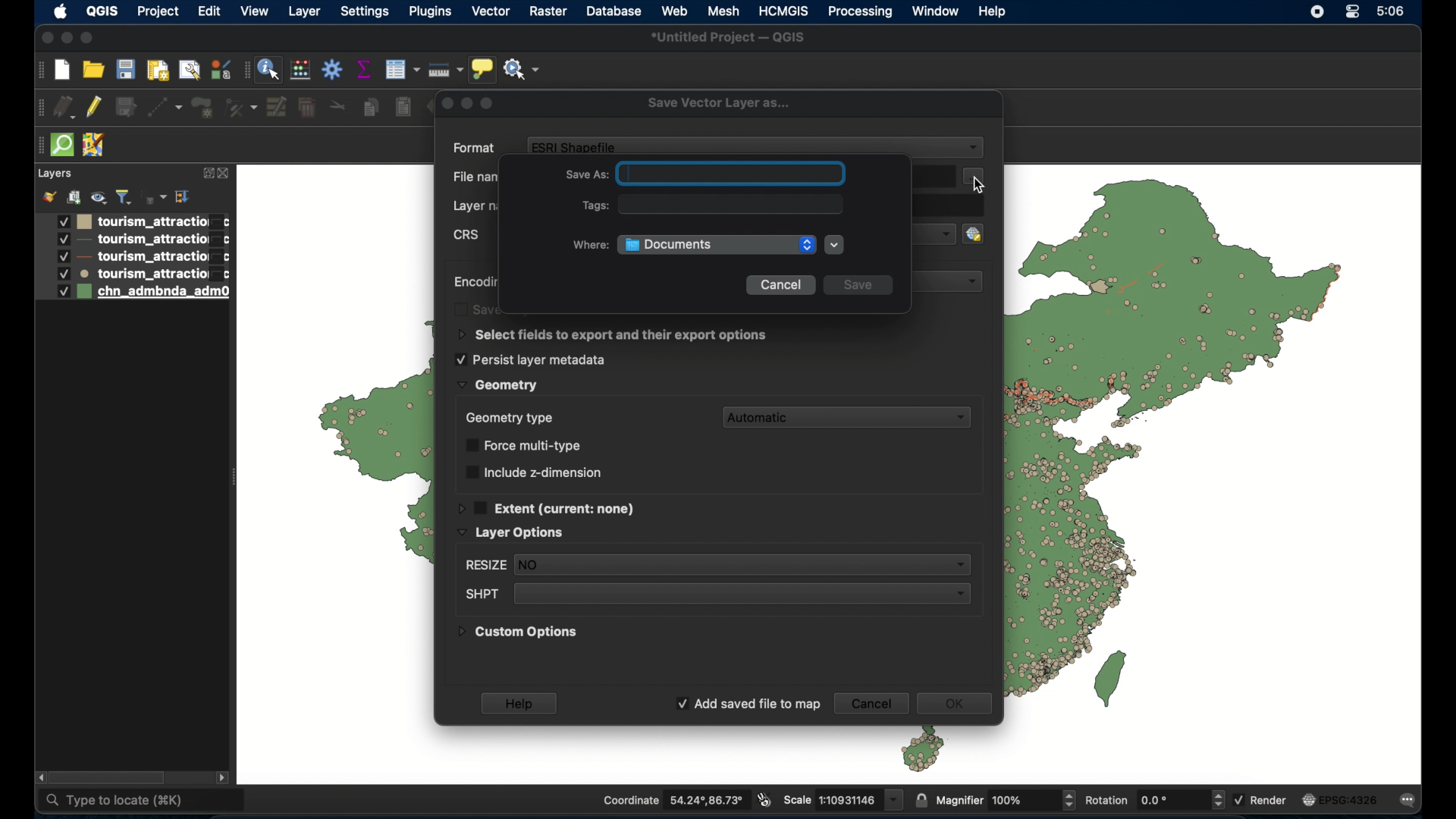 The image size is (1456, 819). Describe the element at coordinates (1392, 11) in the screenshot. I see `time` at that location.